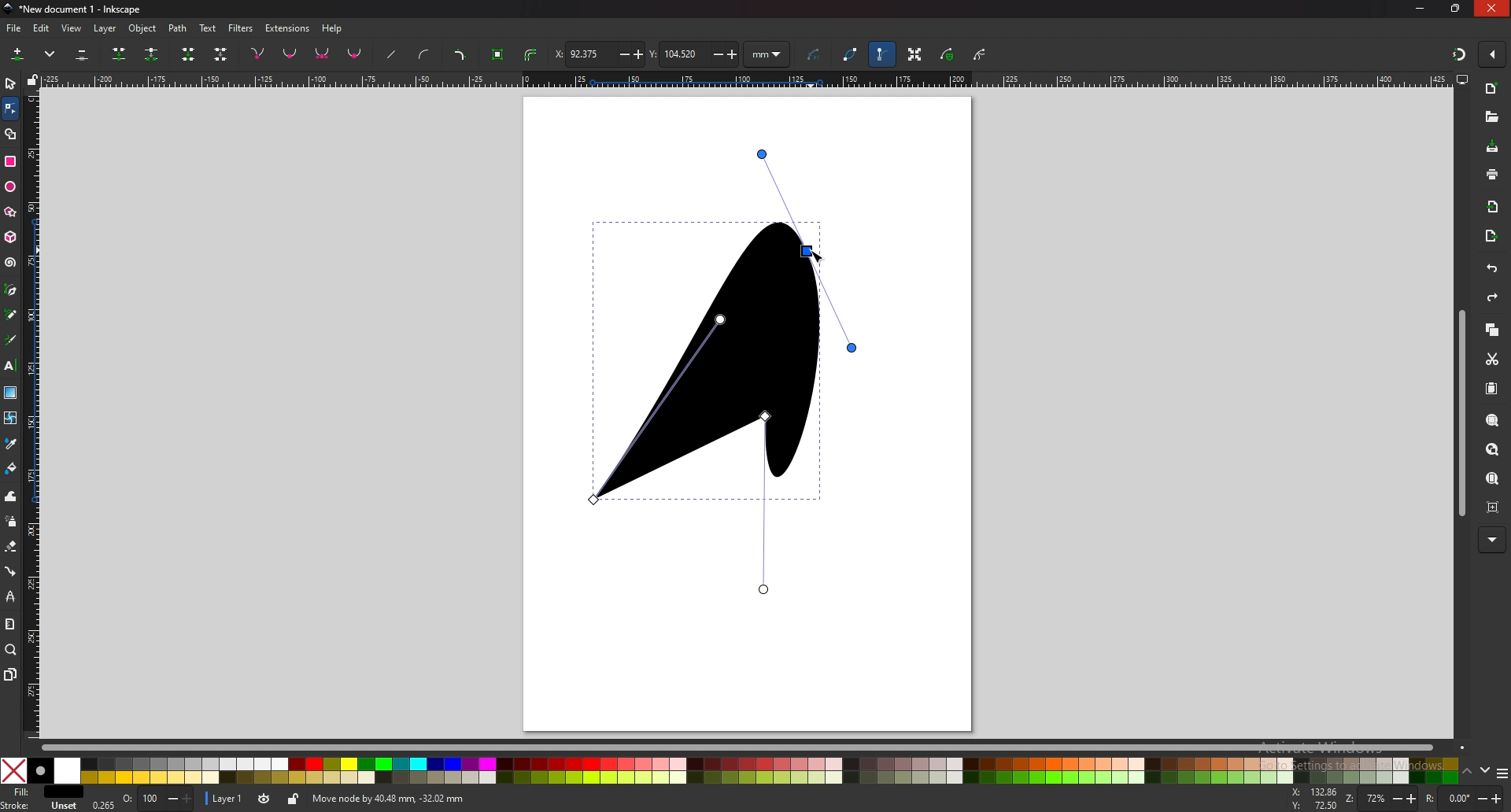 This screenshot has width=1511, height=812. Describe the element at coordinates (10, 365) in the screenshot. I see `text` at that location.